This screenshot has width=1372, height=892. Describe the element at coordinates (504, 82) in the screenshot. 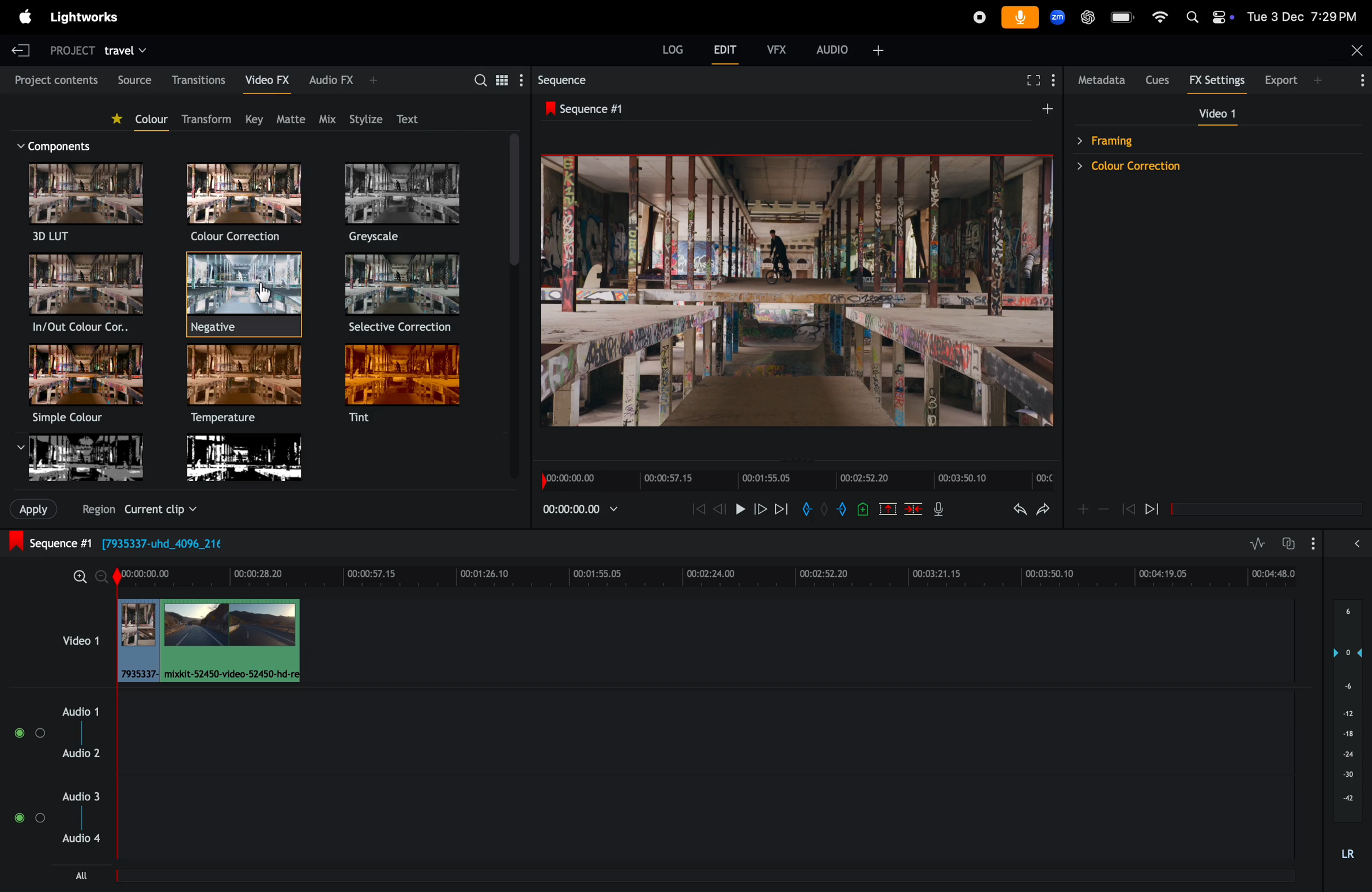

I see `togle between the list view` at that location.